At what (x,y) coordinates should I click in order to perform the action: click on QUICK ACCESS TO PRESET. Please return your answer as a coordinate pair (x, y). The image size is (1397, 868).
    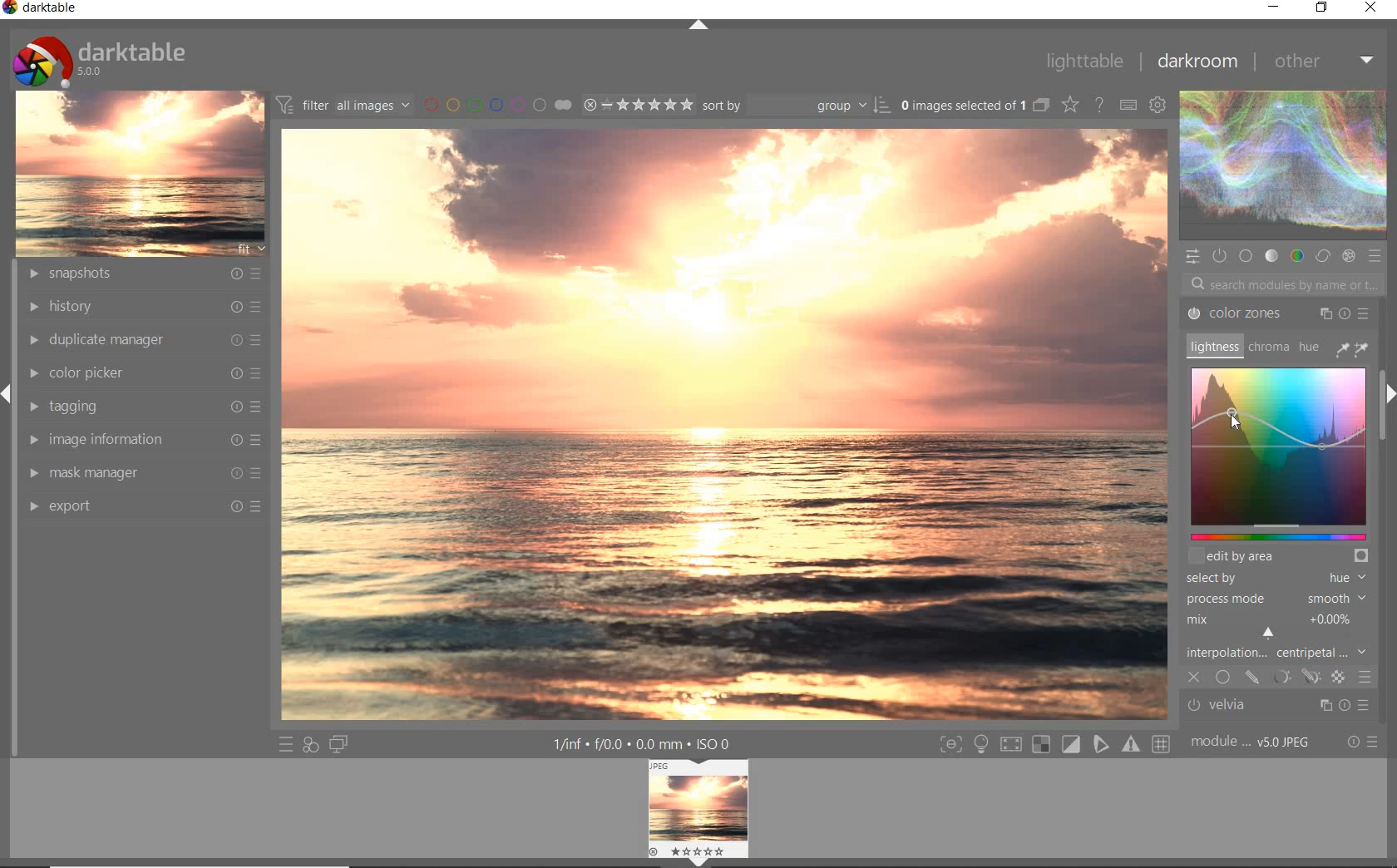
    Looking at the image, I should click on (284, 745).